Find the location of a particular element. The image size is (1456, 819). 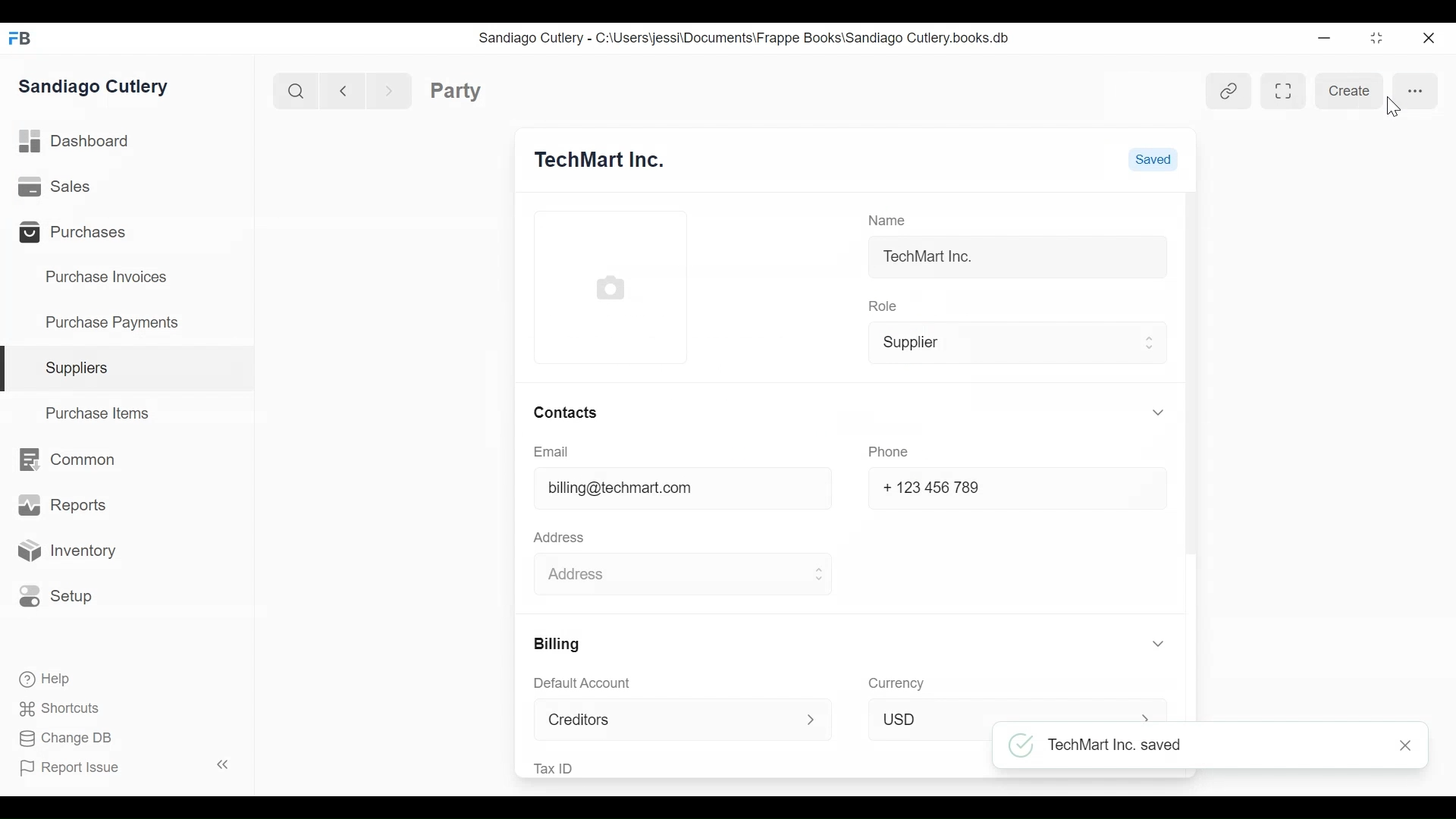

Sales is located at coordinates (55, 186).